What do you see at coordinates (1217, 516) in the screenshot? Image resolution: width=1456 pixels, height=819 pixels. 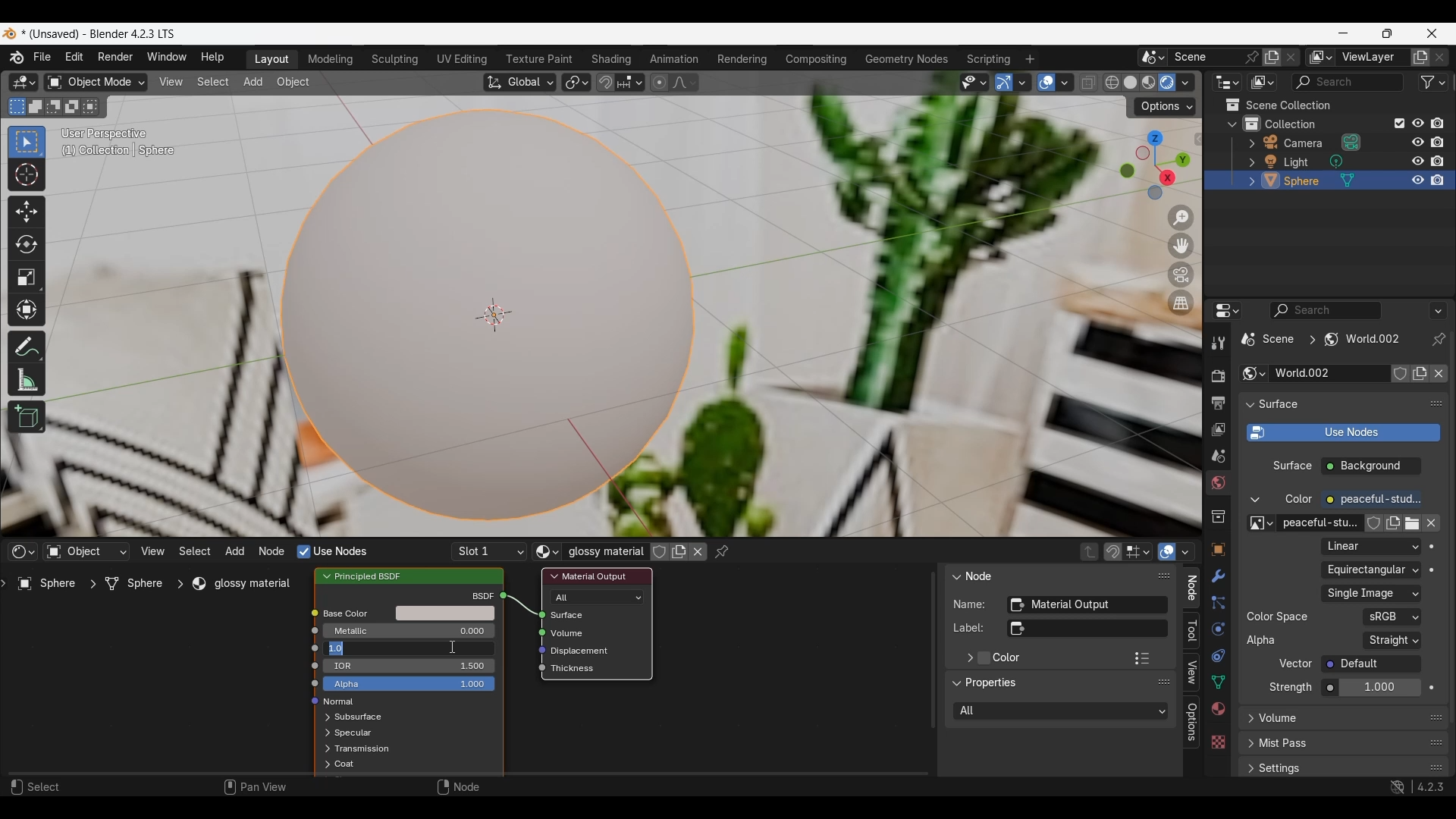 I see `Collection properties` at bounding box center [1217, 516].